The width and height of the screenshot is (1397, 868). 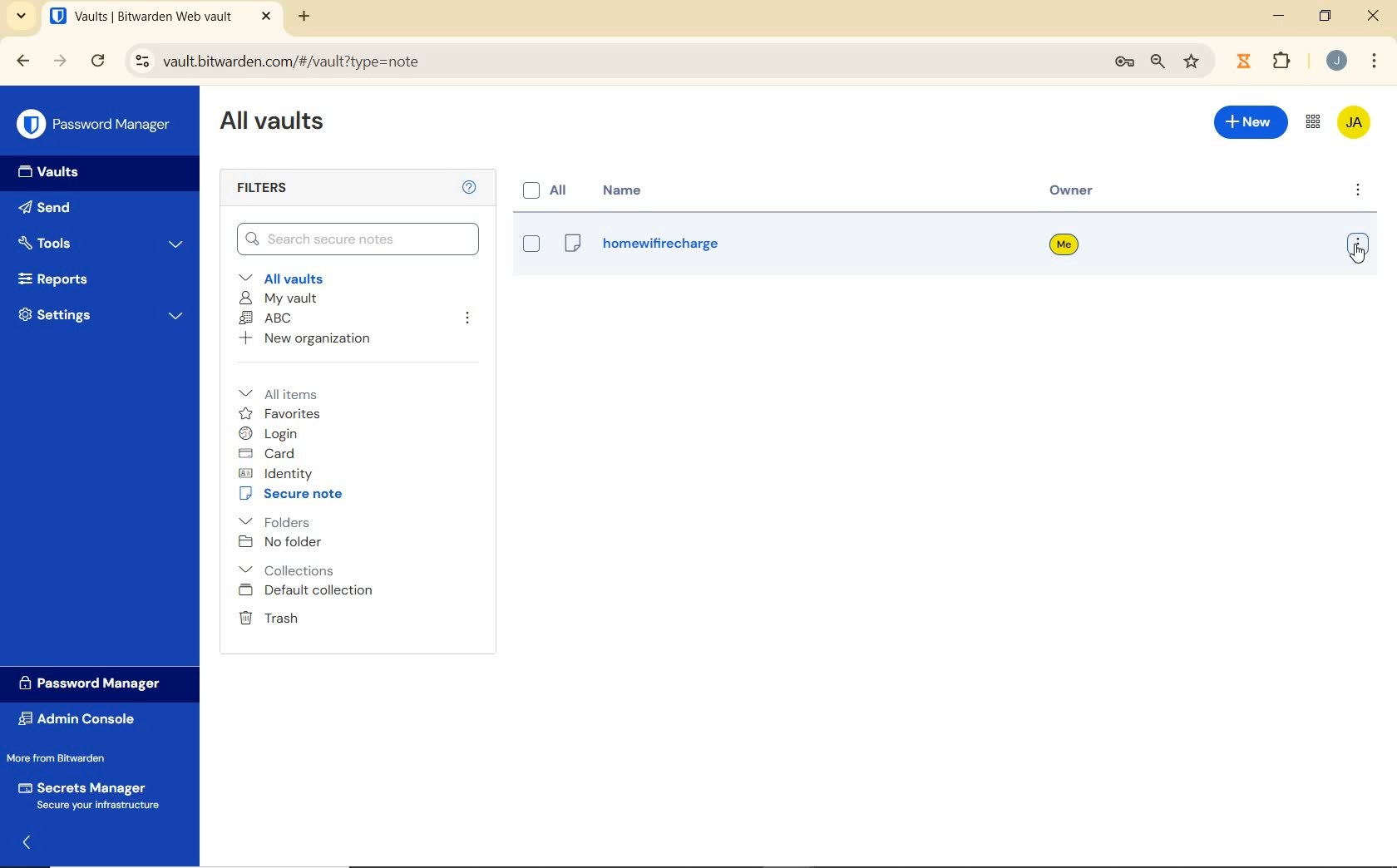 What do you see at coordinates (60, 61) in the screenshot?
I see `forward` at bounding box center [60, 61].